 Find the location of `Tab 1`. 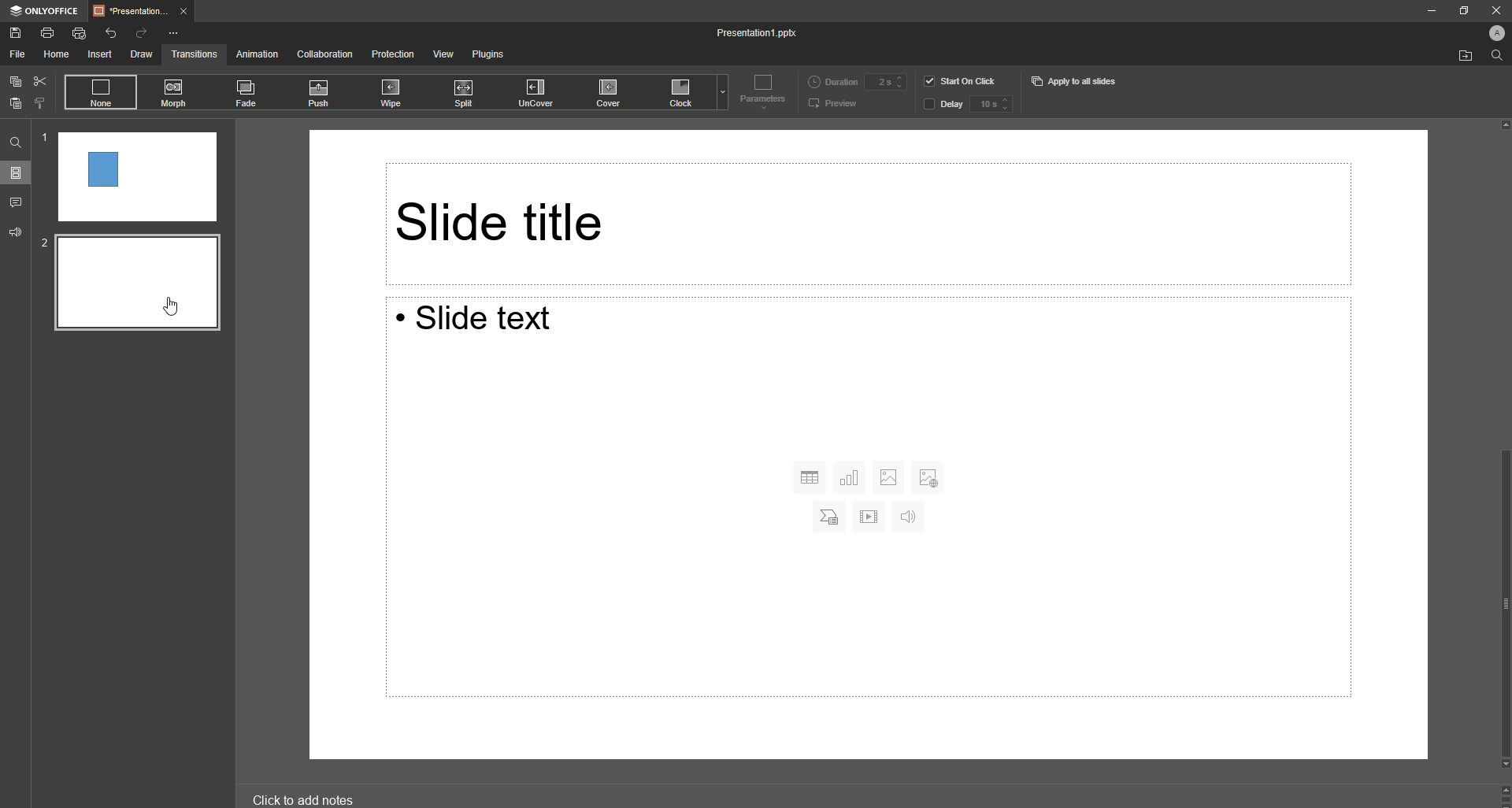

Tab 1 is located at coordinates (144, 11).